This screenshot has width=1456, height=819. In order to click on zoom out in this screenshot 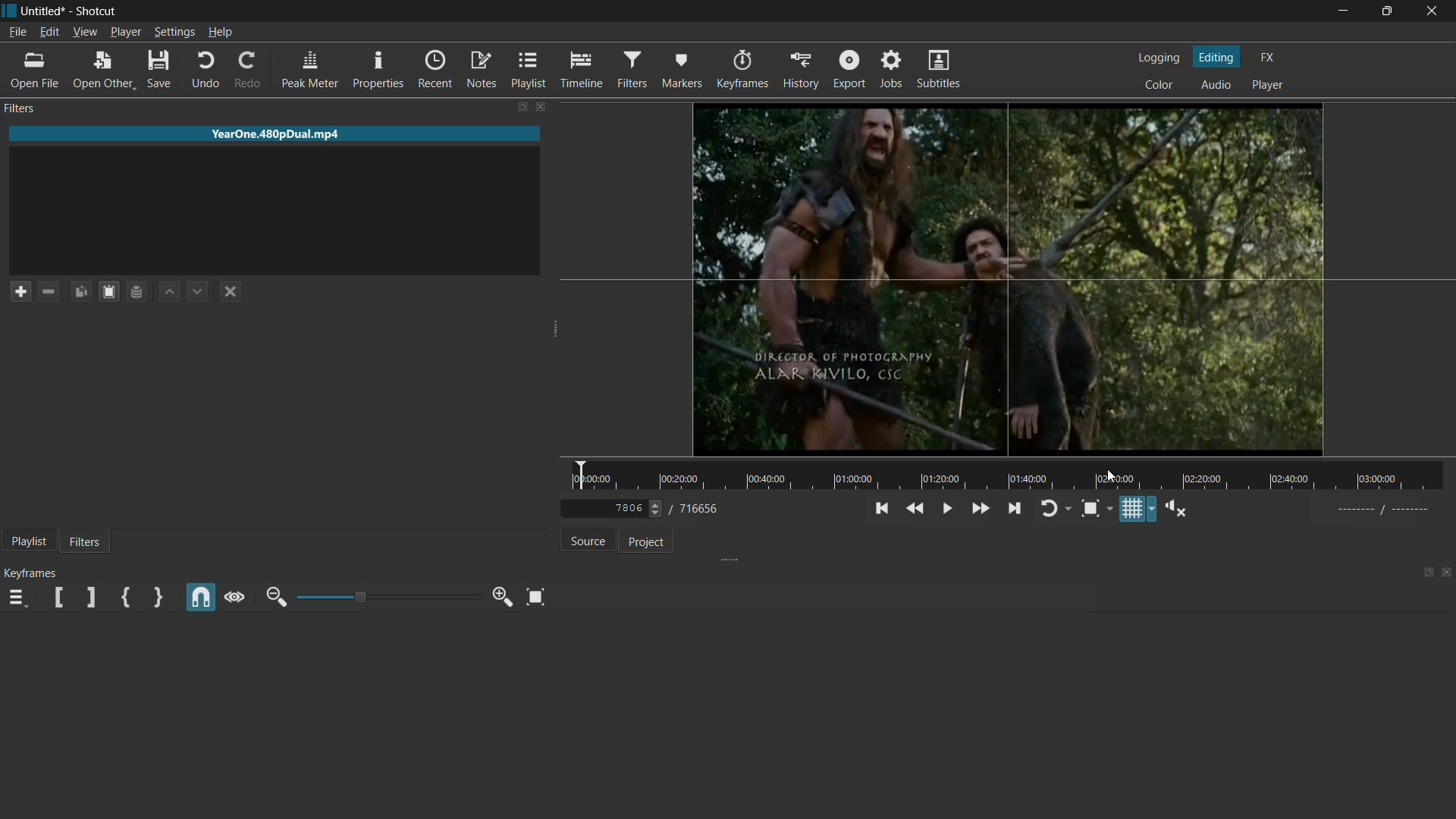, I will do `click(274, 598)`.